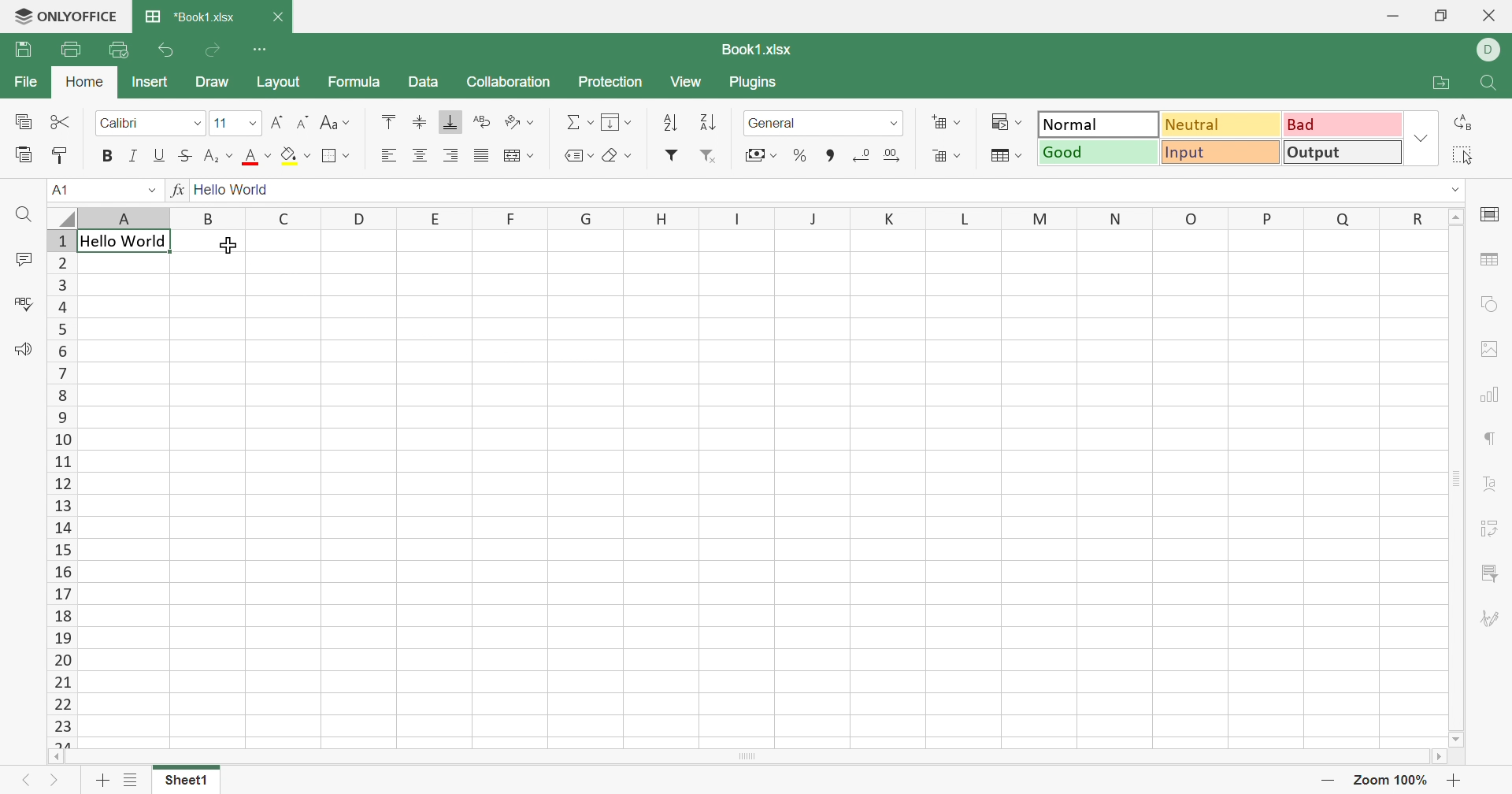  Describe the element at coordinates (1491, 438) in the screenshot. I see `paragraph settings` at that location.